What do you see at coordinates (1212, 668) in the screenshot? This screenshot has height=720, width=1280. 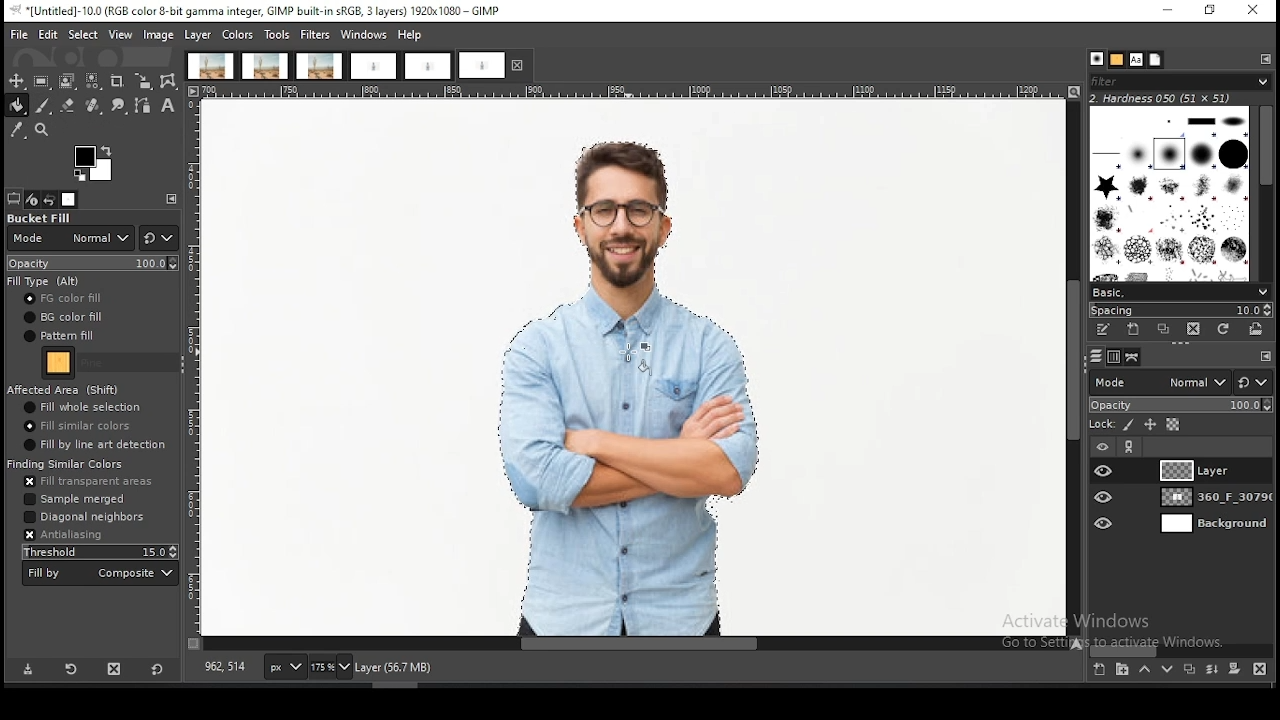 I see `merge layers` at bounding box center [1212, 668].